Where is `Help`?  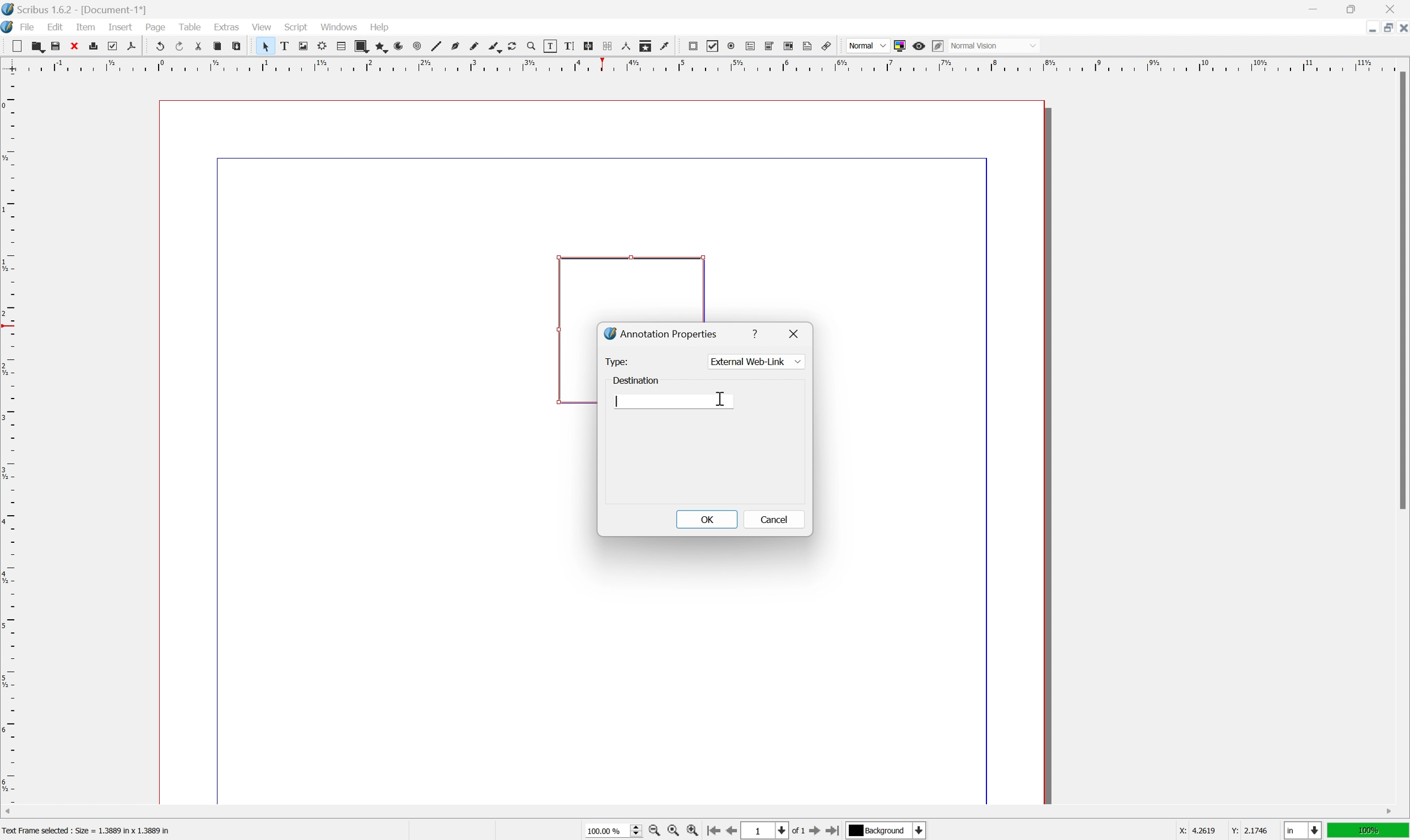
Help is located at coordinates (381, 28).